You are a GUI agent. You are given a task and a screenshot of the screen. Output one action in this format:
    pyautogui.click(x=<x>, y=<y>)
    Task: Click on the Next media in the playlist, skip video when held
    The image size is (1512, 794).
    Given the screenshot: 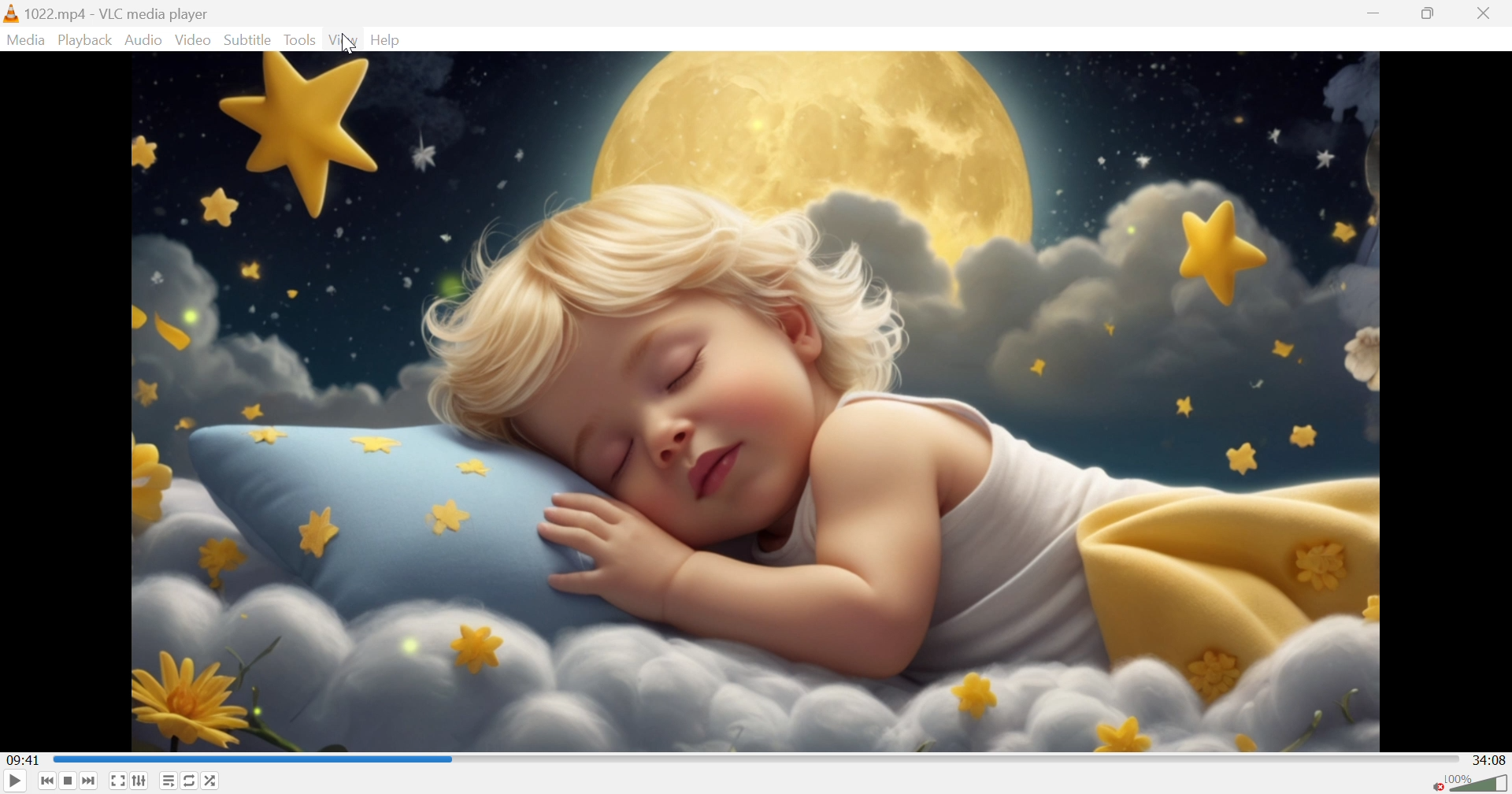 What is the action you would take?
    pyautogui.click(x=90, y=781)
    